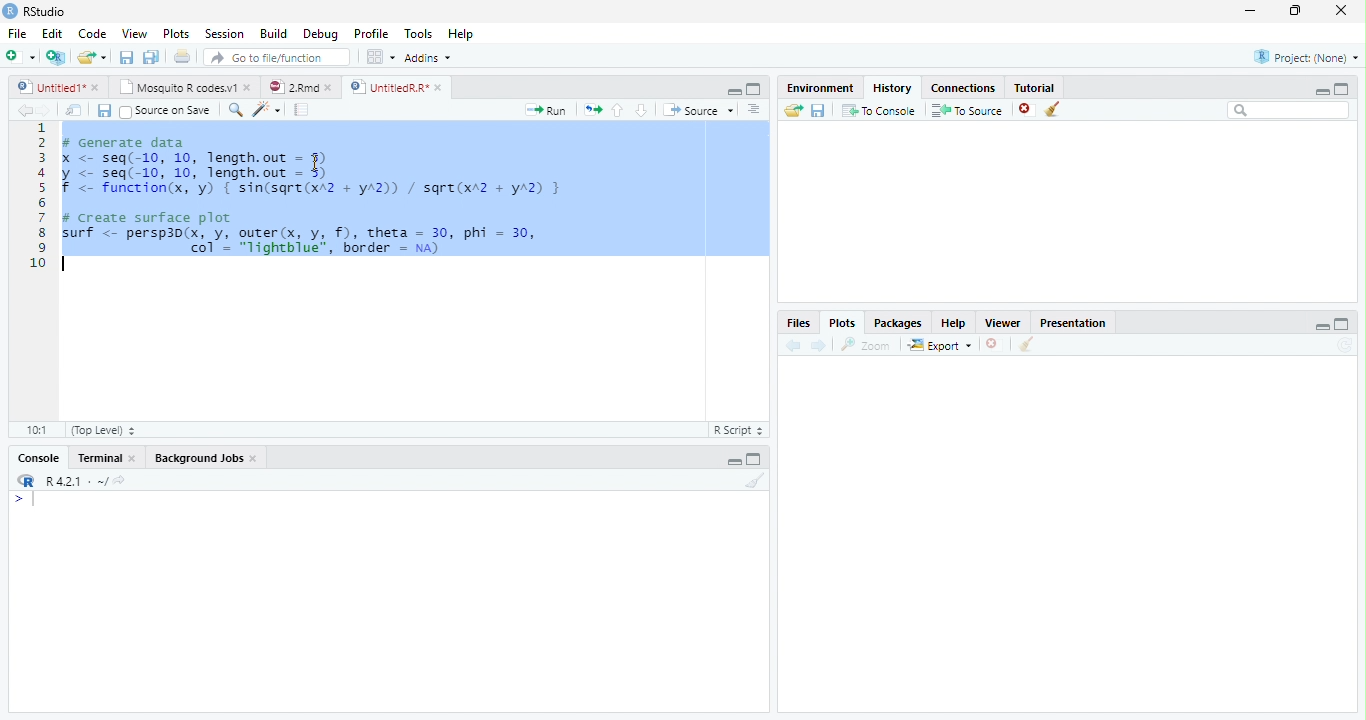 The height and width of the screenshot is (720, 1366). Describe the element at coordinates (104, 57) in the screenshot. I see `Open recent files` at that location.